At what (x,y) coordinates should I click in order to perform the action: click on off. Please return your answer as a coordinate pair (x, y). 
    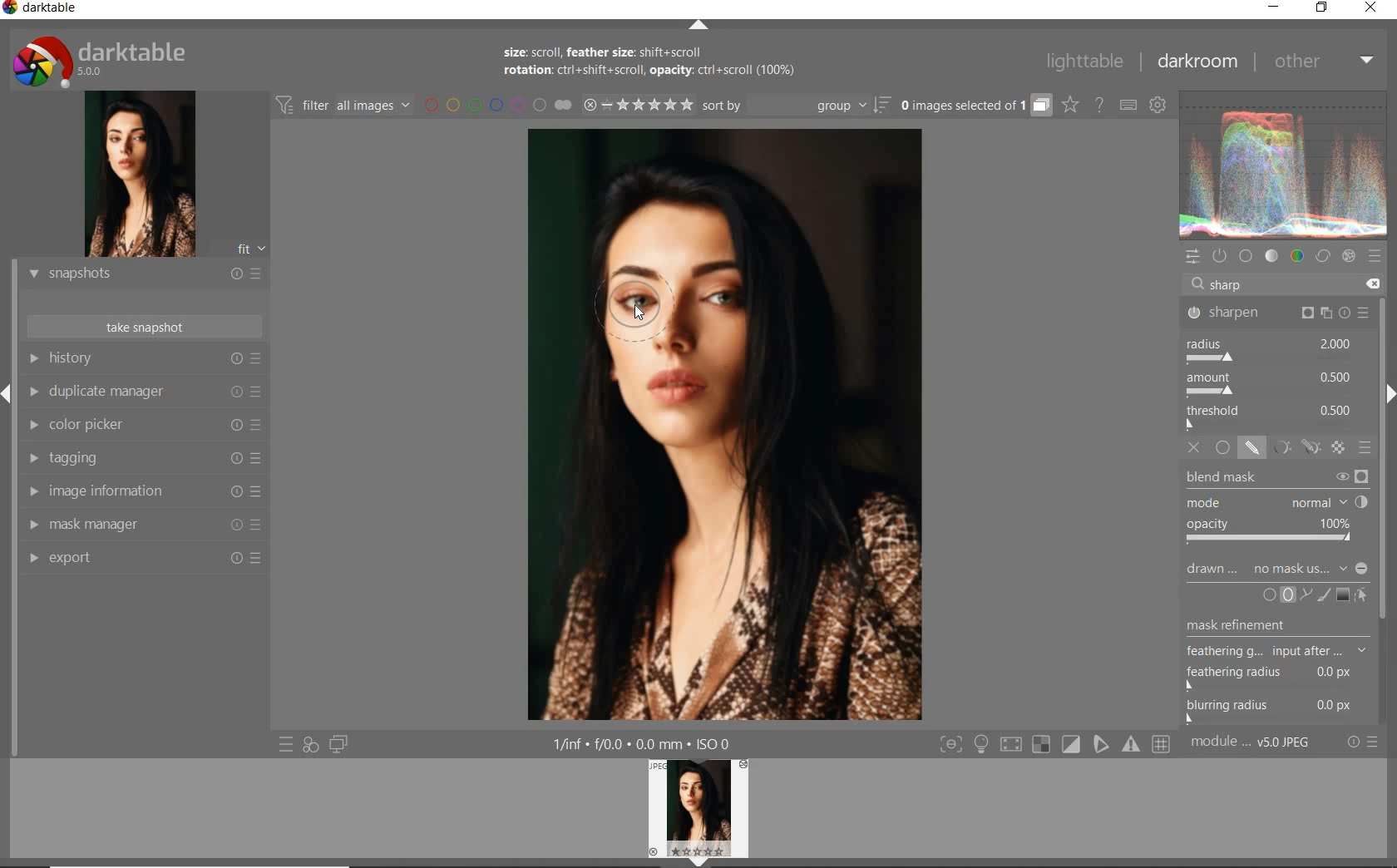
    Looking at the image, I should click on (1196, 448).